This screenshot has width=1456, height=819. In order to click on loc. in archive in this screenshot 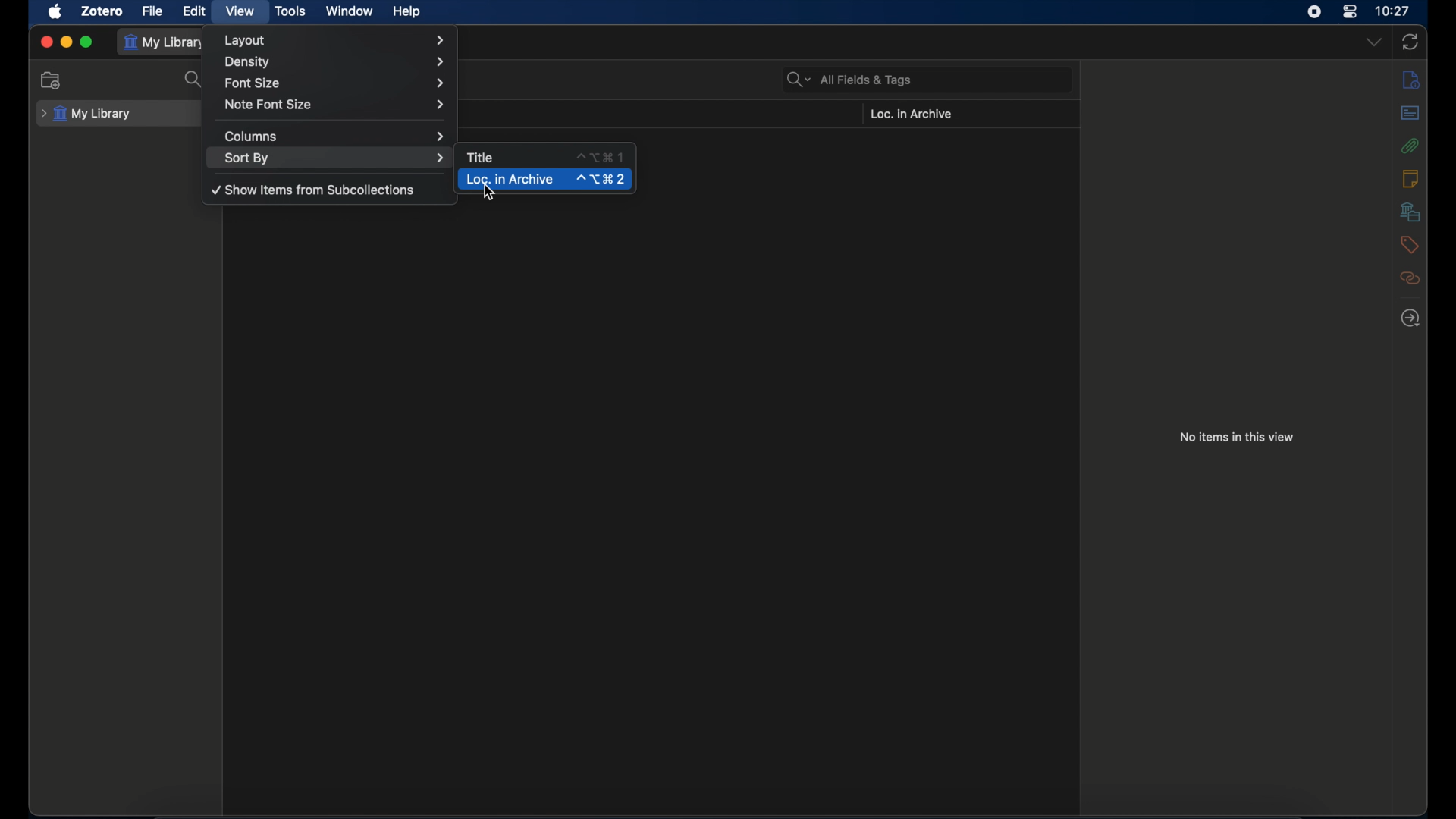, I will do `click(510, 178)`.